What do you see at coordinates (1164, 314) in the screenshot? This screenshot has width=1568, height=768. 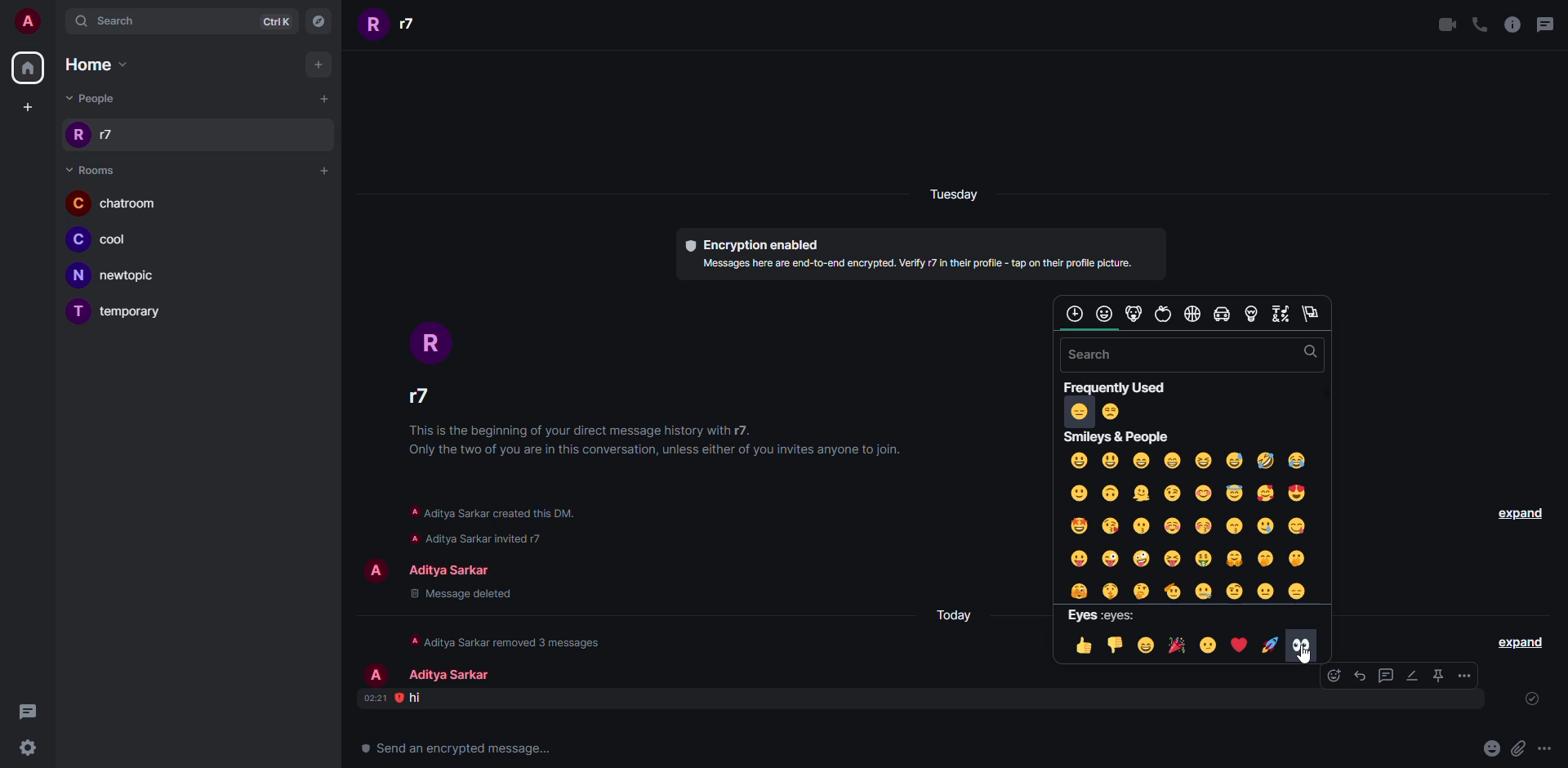 I see `category` at bounding box center [1164, 314].